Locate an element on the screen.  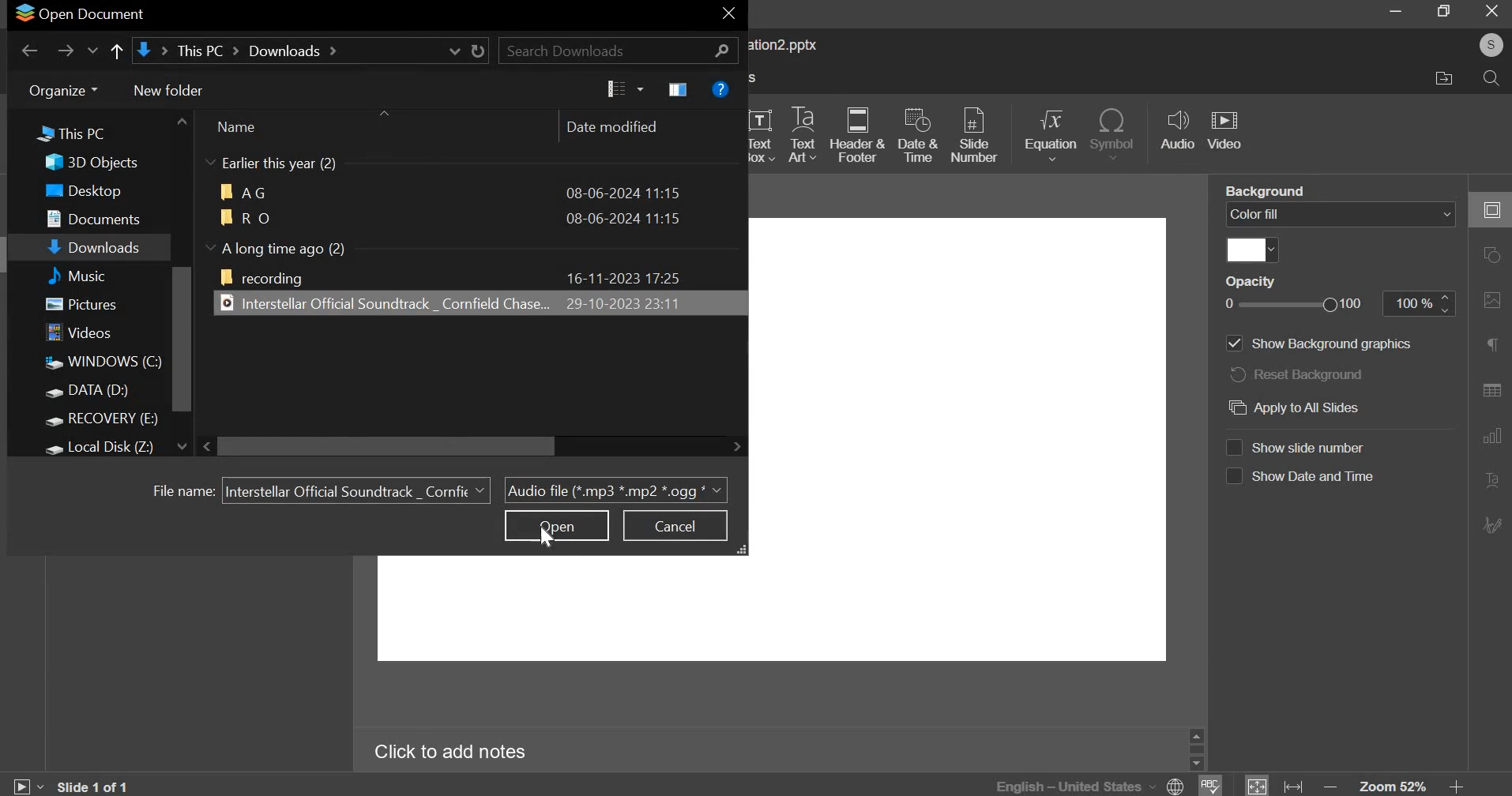
open is located at coordinates (556, 525).